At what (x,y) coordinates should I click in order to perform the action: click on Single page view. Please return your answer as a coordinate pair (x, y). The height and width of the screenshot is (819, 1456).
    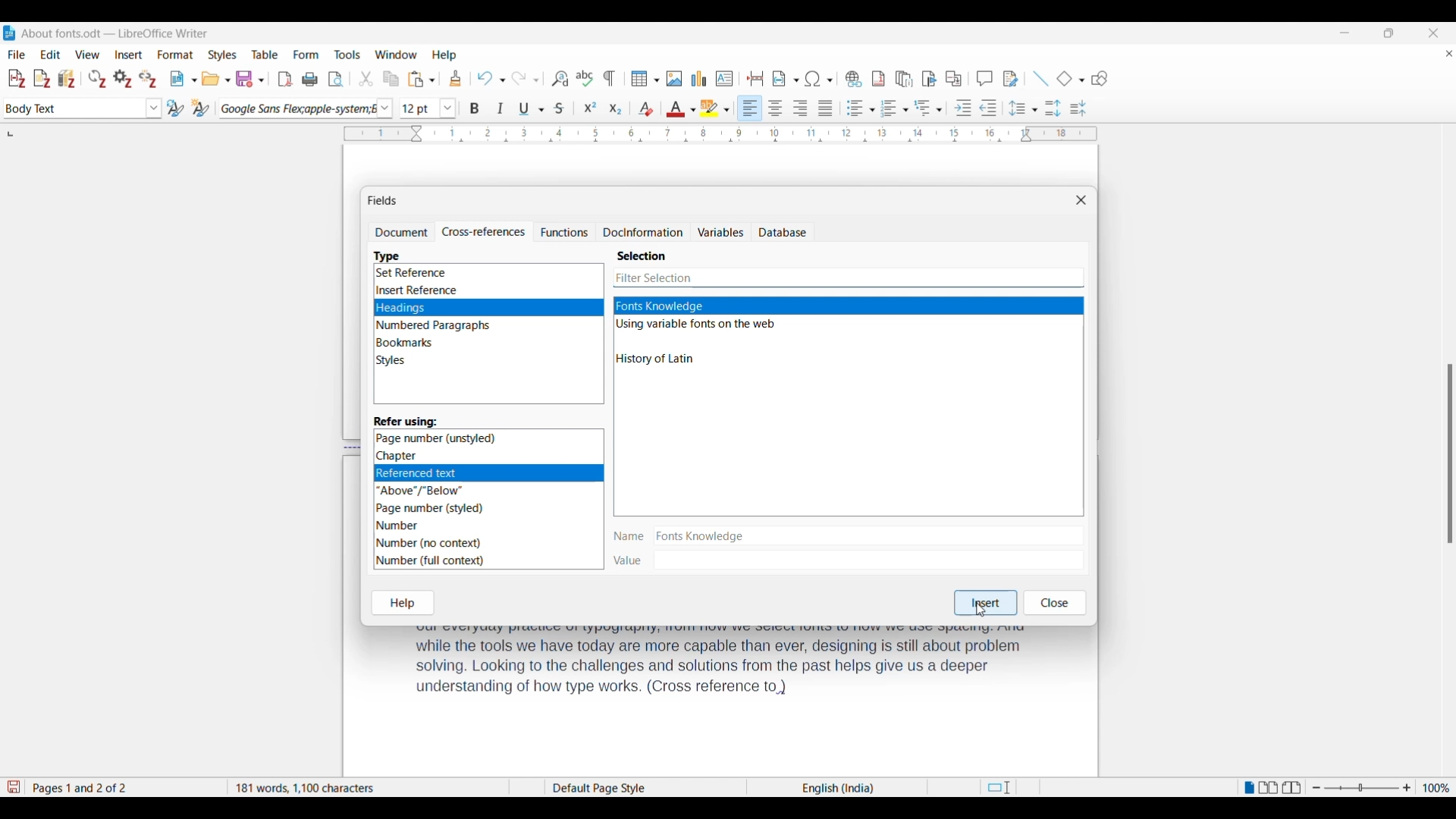
    Looking at the image, I should click on (1247, 788).